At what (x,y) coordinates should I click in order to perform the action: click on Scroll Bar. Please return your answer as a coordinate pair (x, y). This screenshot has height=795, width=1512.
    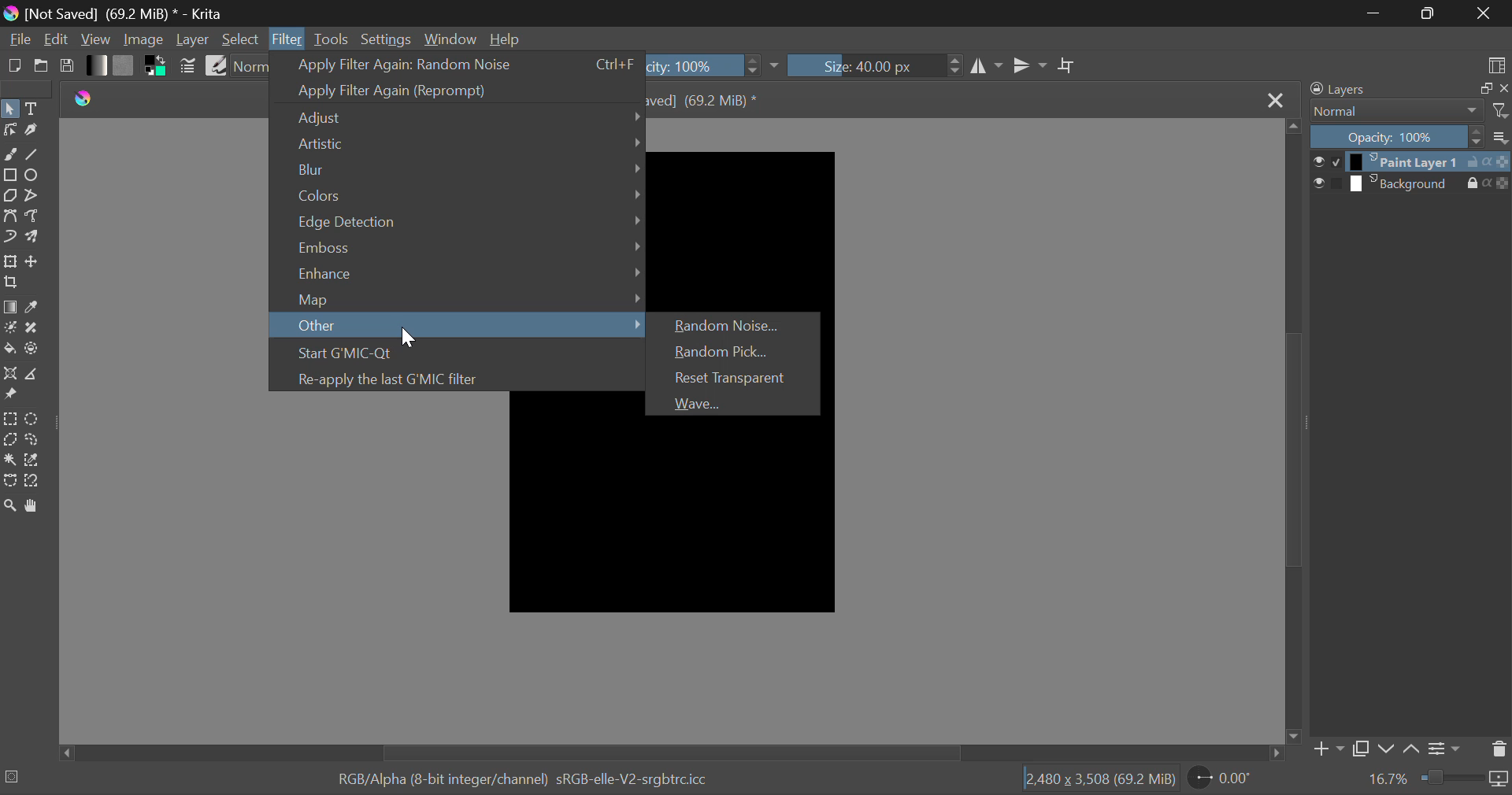
    Looking at the image, I should click on (668, 753).